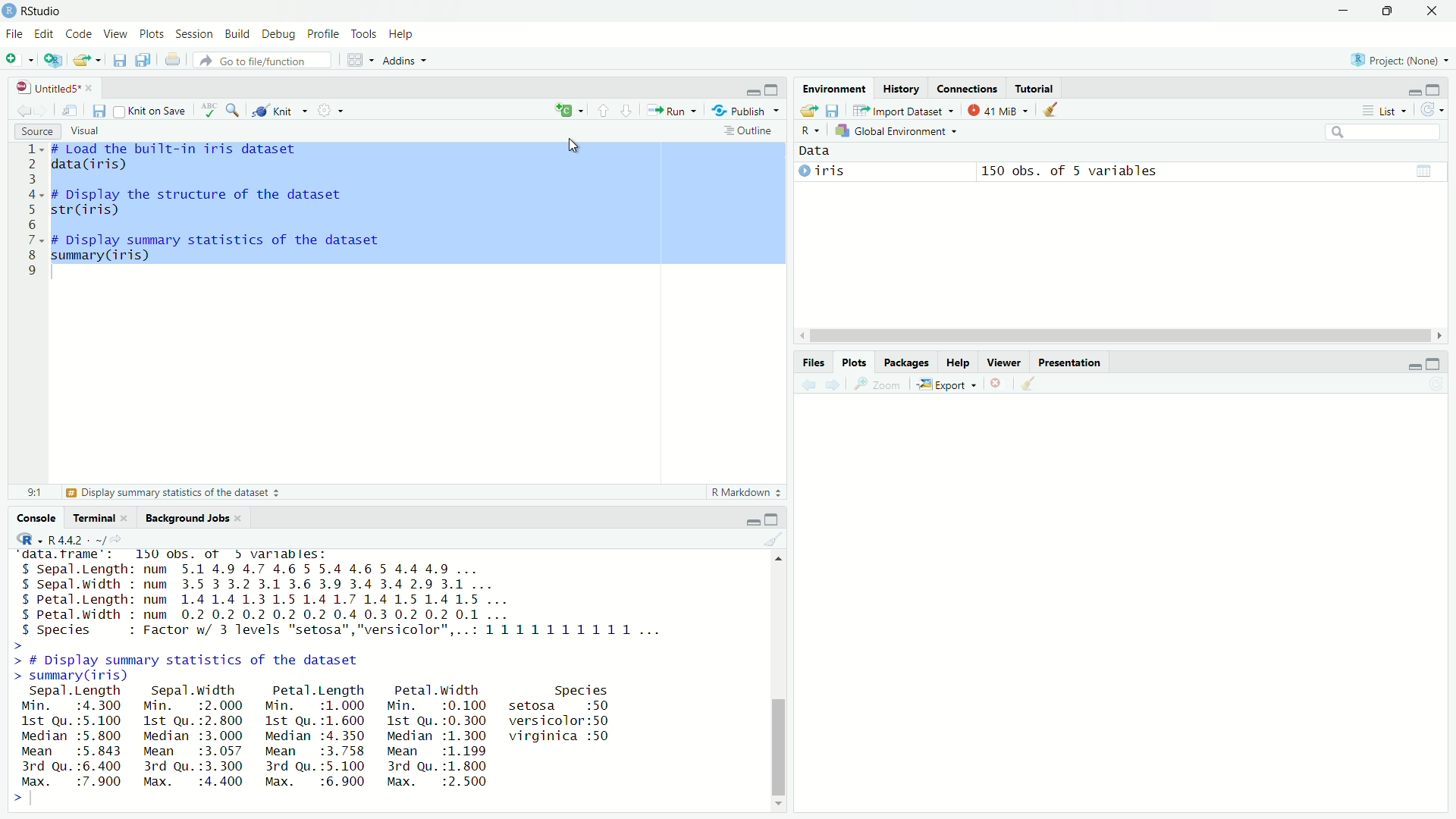 The width and height of the screenshot is (1456, 819). I want to click on Scroll down, so click(780, 805).